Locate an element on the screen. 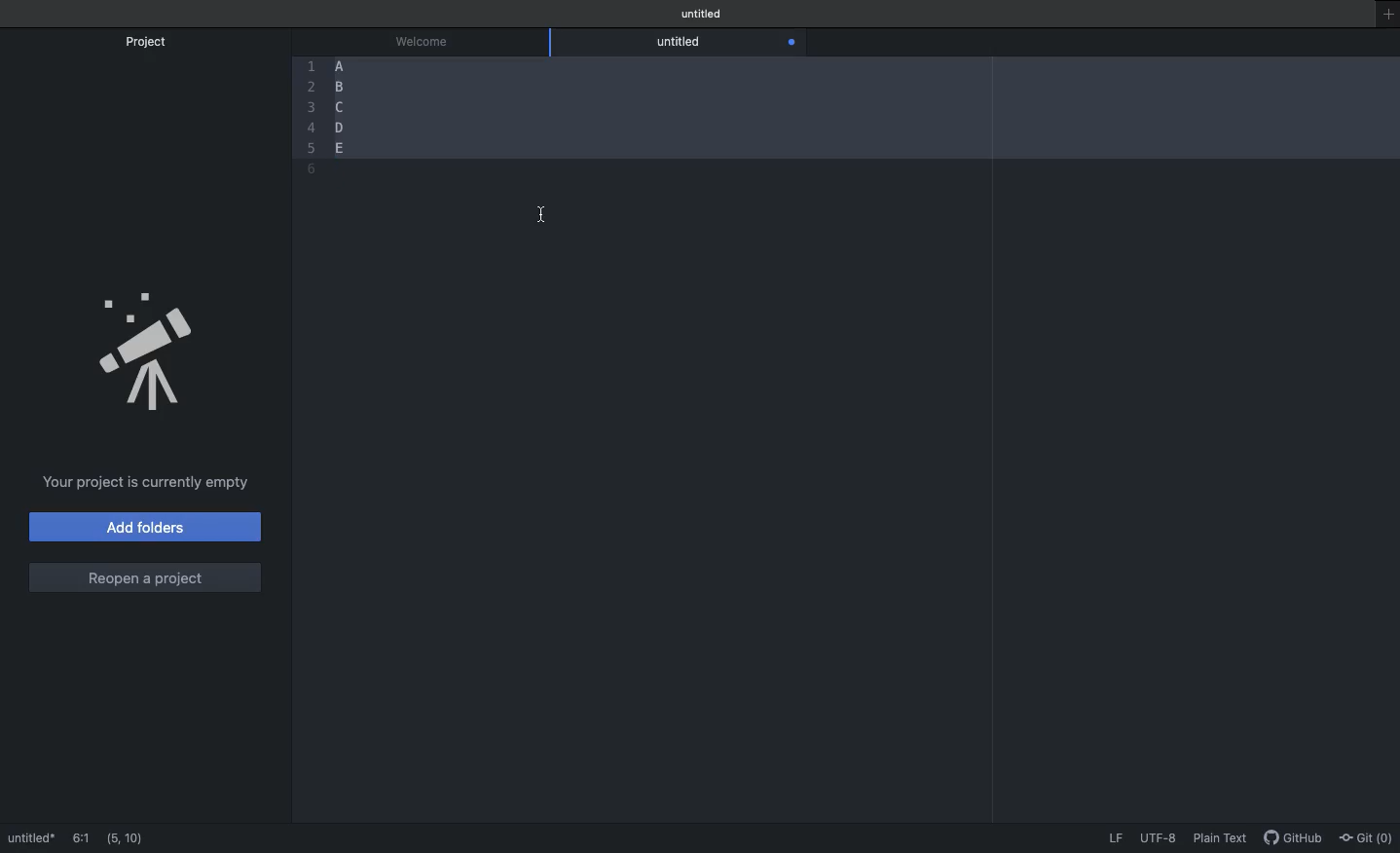 The width and height of the screenshot is (1400, 853). untitled is located at coordinates (683, 42).